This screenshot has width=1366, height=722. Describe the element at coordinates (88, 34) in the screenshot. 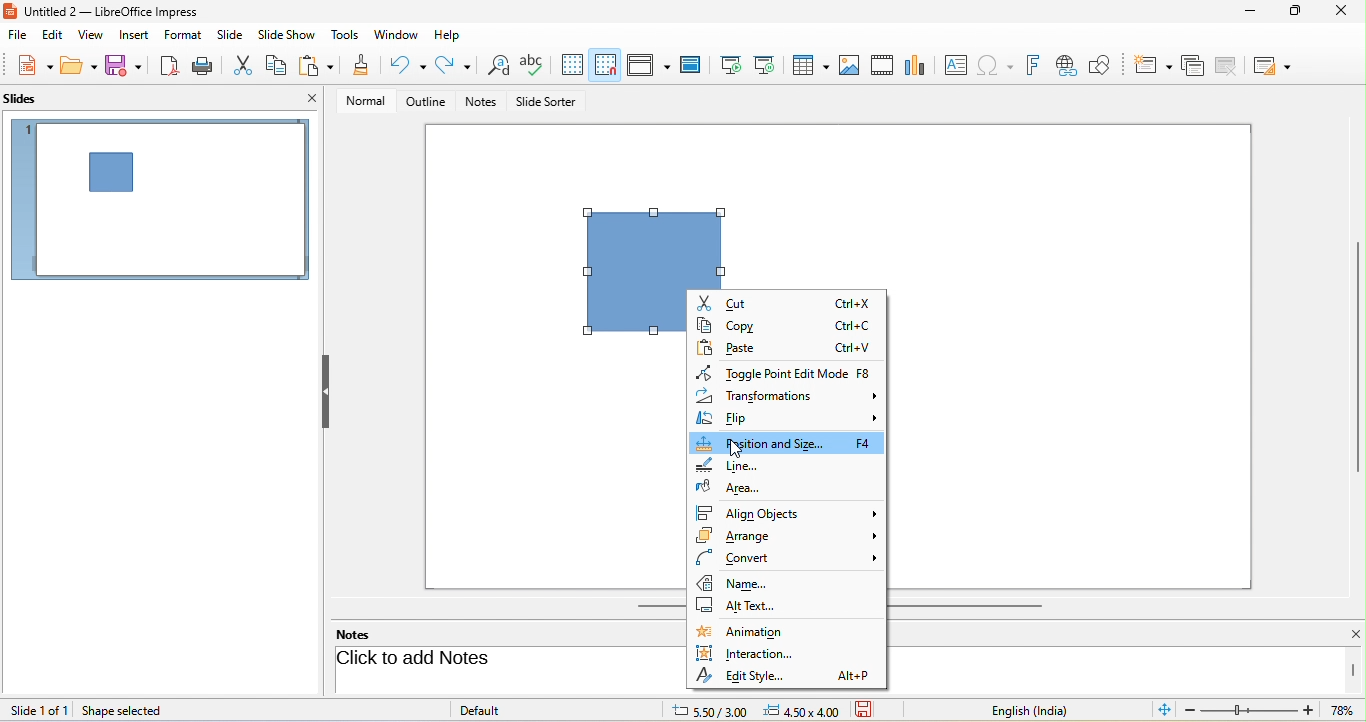

I see `view` at that location.